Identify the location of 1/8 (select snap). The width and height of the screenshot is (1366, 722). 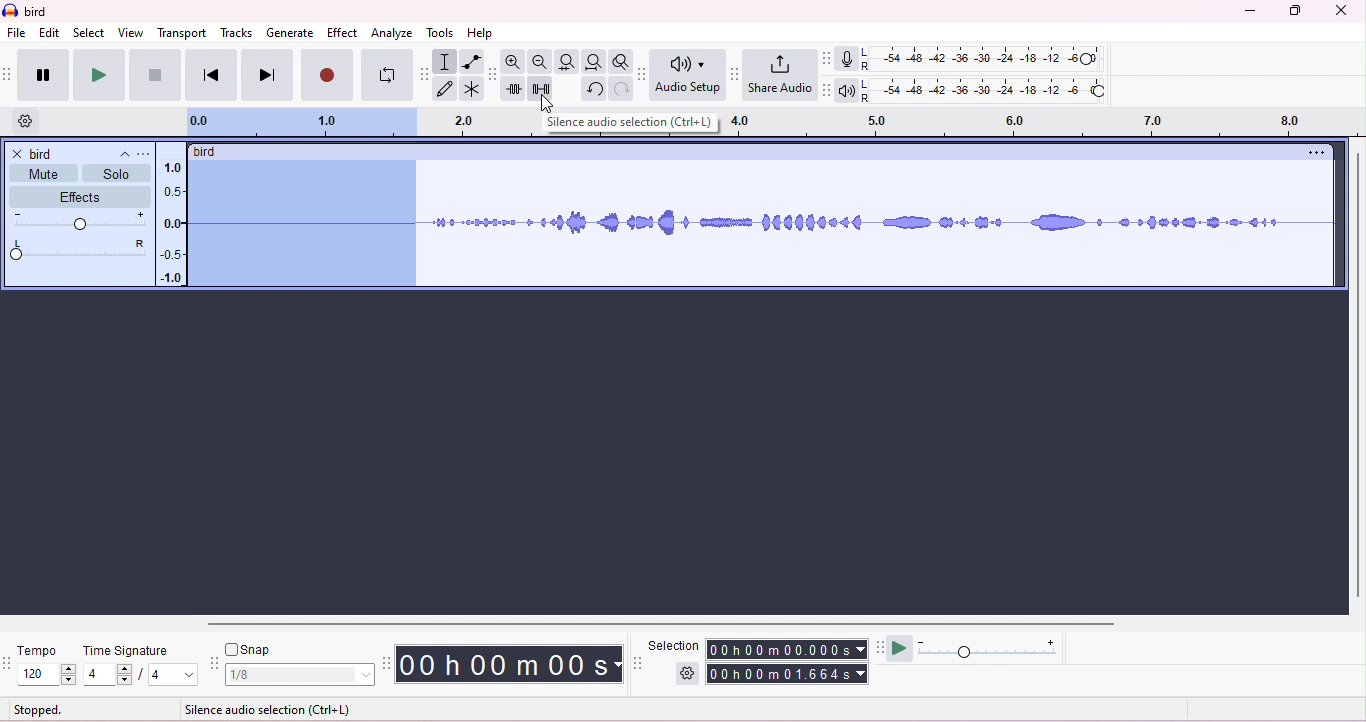
(301, 675).